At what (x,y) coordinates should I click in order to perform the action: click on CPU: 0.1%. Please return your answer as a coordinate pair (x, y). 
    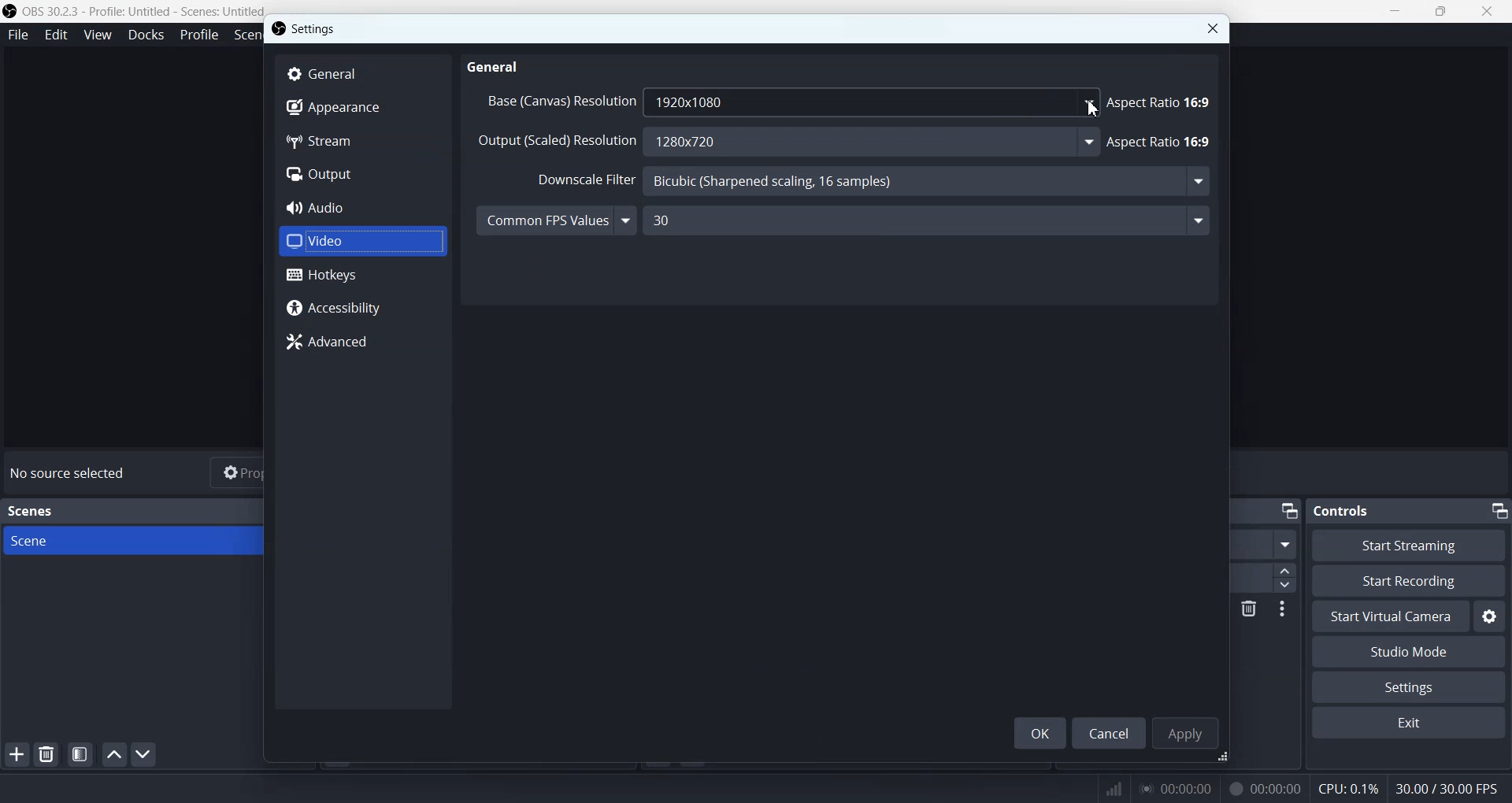
    Looking at the image, I should click on (1345, 788).